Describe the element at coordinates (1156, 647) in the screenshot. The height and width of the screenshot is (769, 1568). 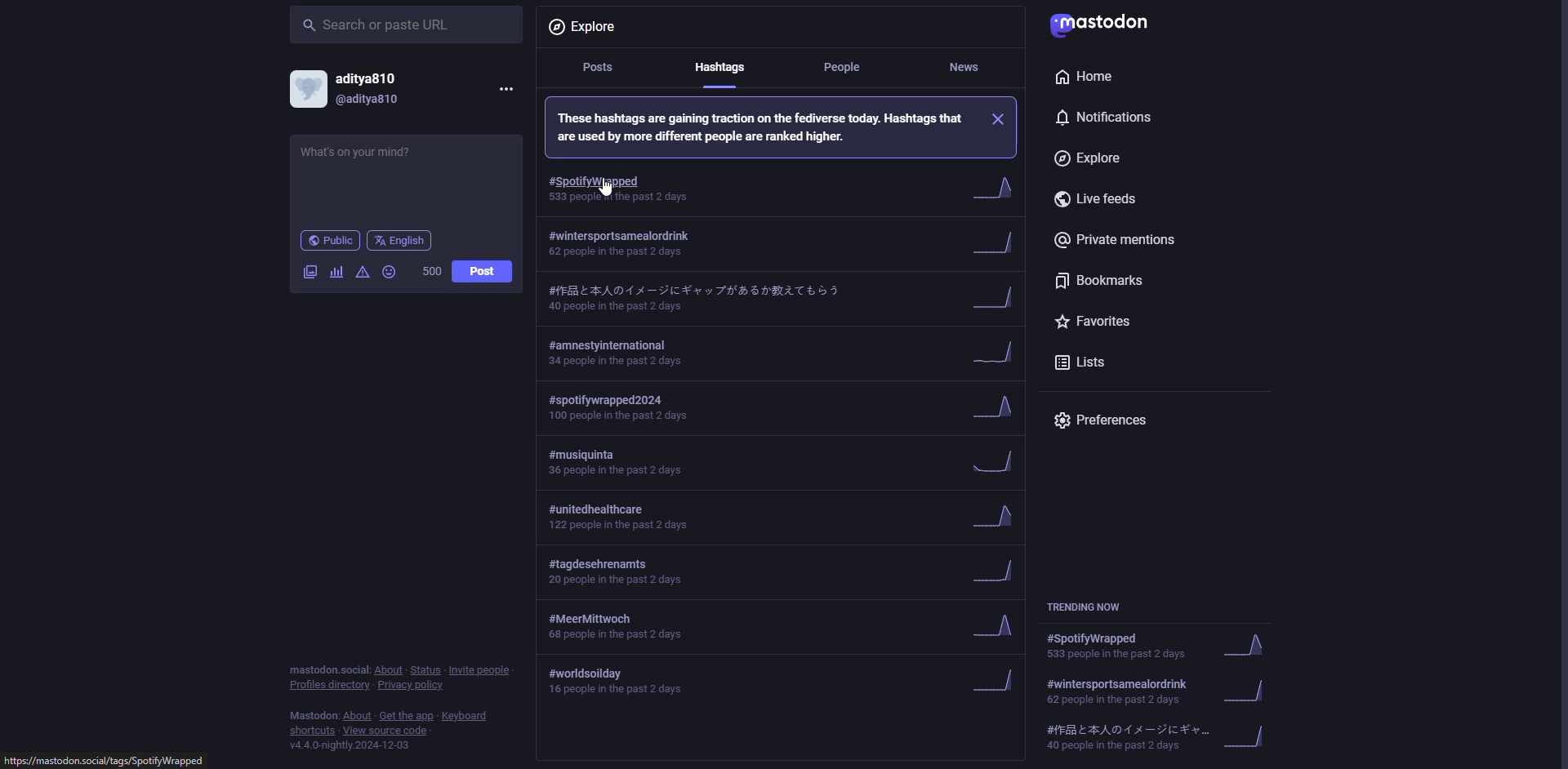
I see `trending ` at that location.